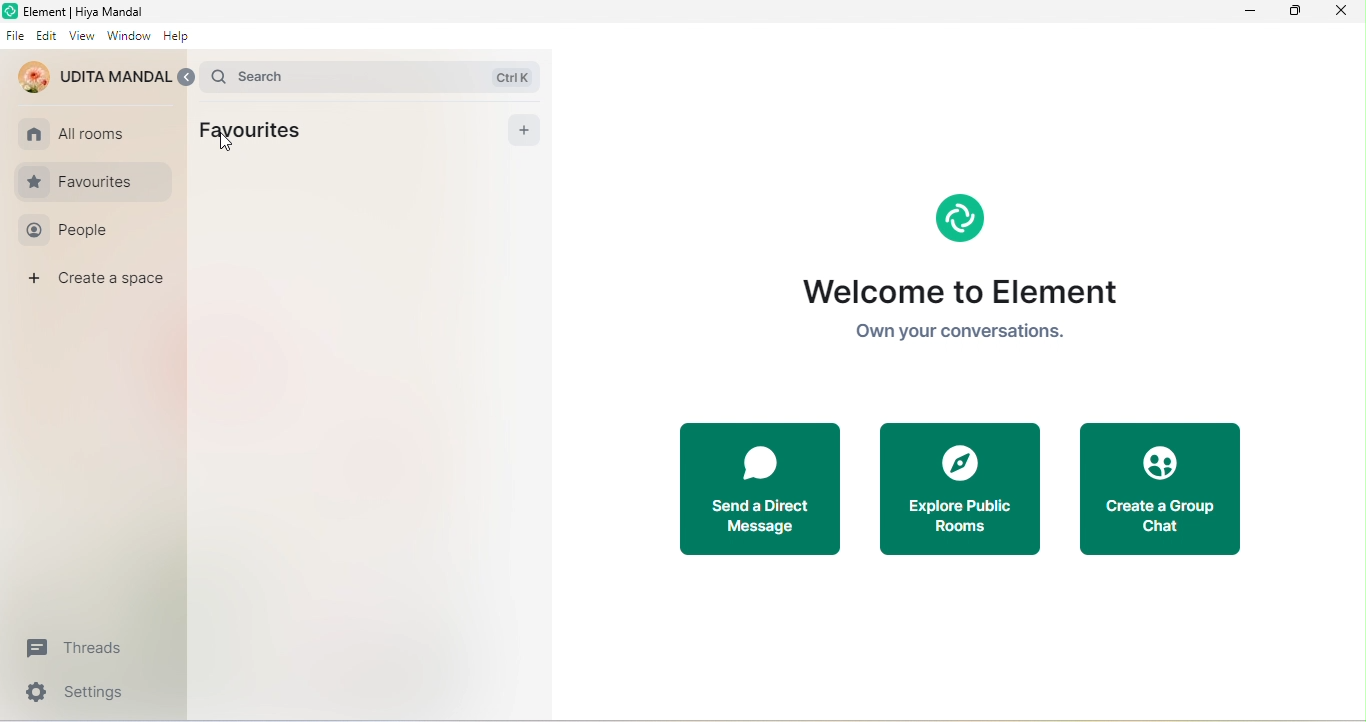  Describe the element at coordinates (1253, 13) in the screenshot. I see `minimize` at that location.